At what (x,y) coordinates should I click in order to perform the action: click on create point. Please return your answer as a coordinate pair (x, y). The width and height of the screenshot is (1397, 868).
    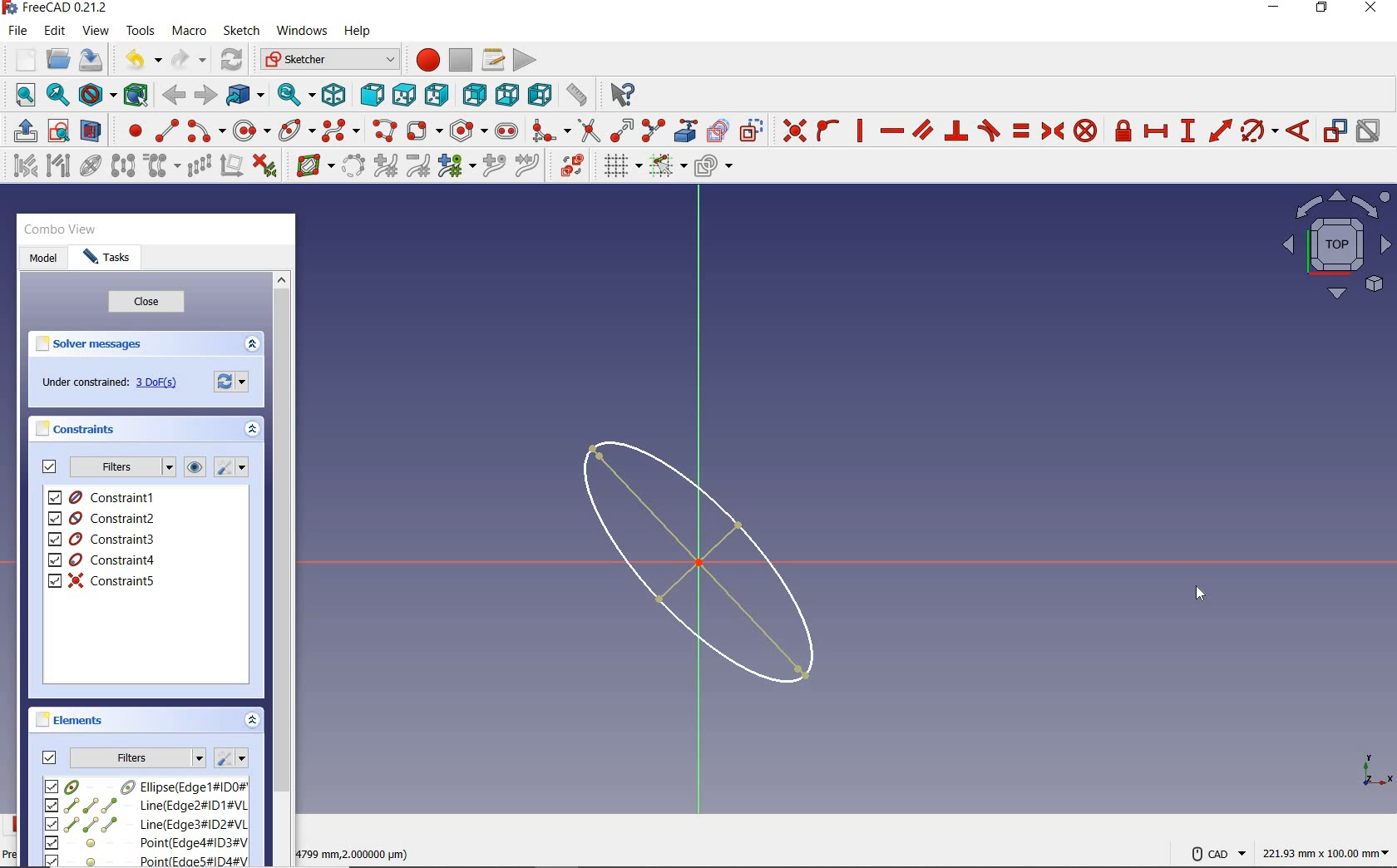
    Looking at the image, I should click on (131, 131).